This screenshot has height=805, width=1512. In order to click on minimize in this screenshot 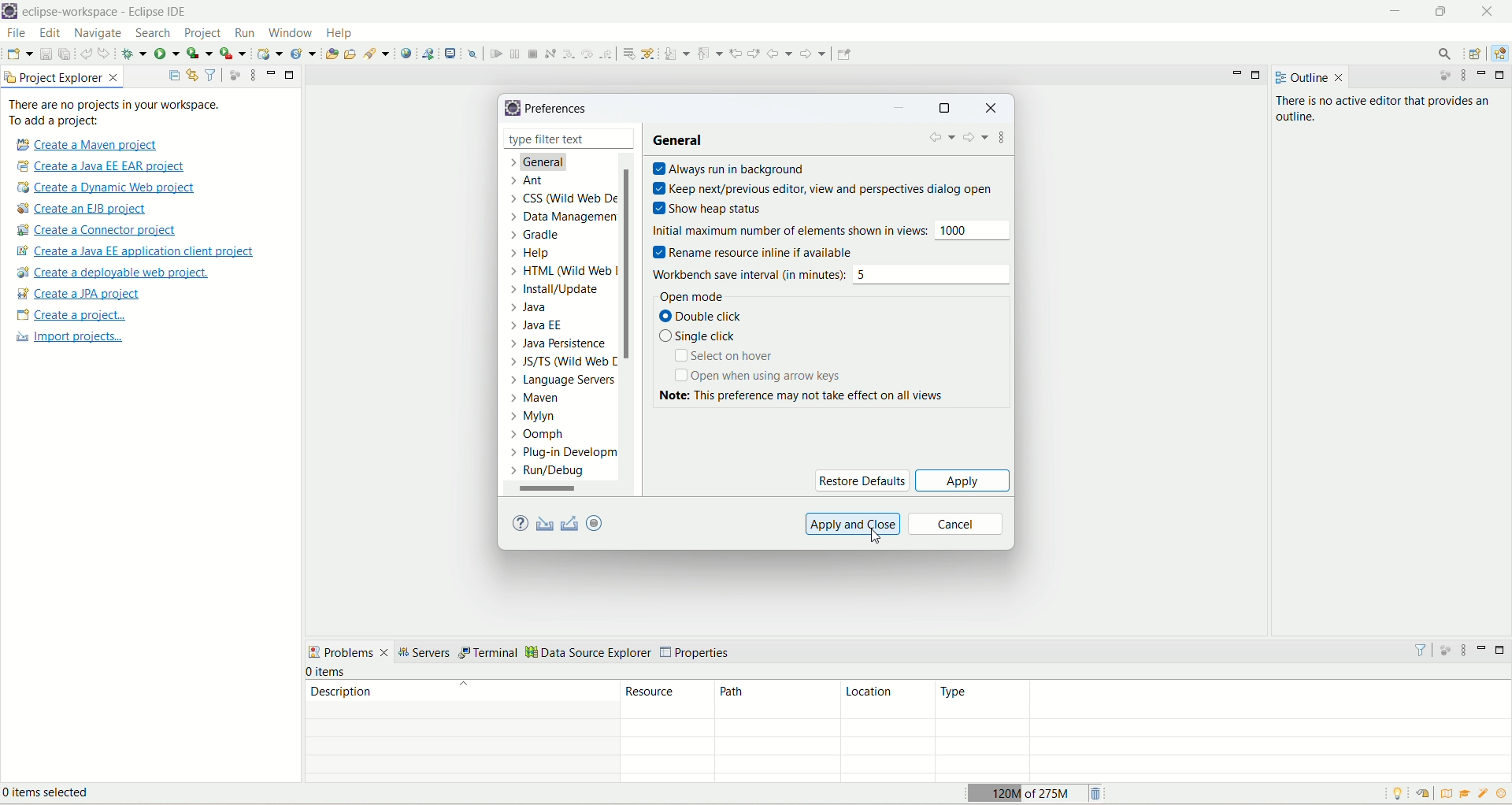, I will do `click(1484, 74)`.